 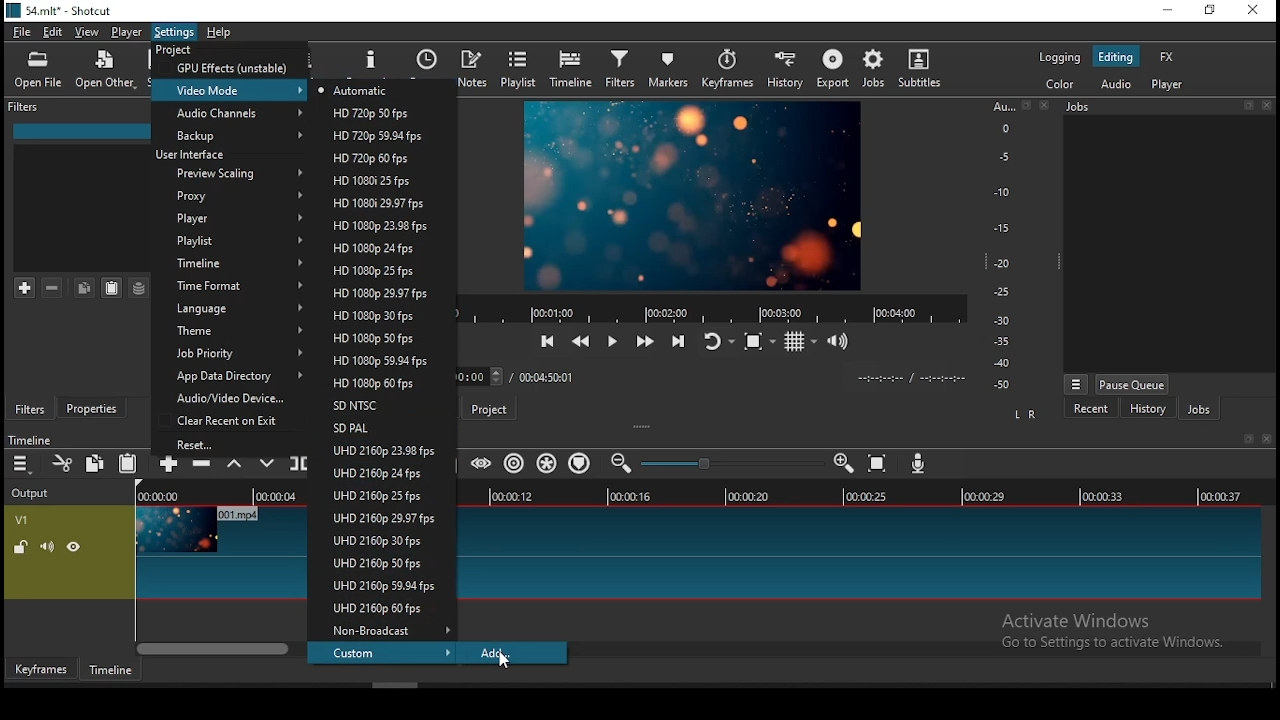 I want to click on editing, so click(x=1116, y=57).